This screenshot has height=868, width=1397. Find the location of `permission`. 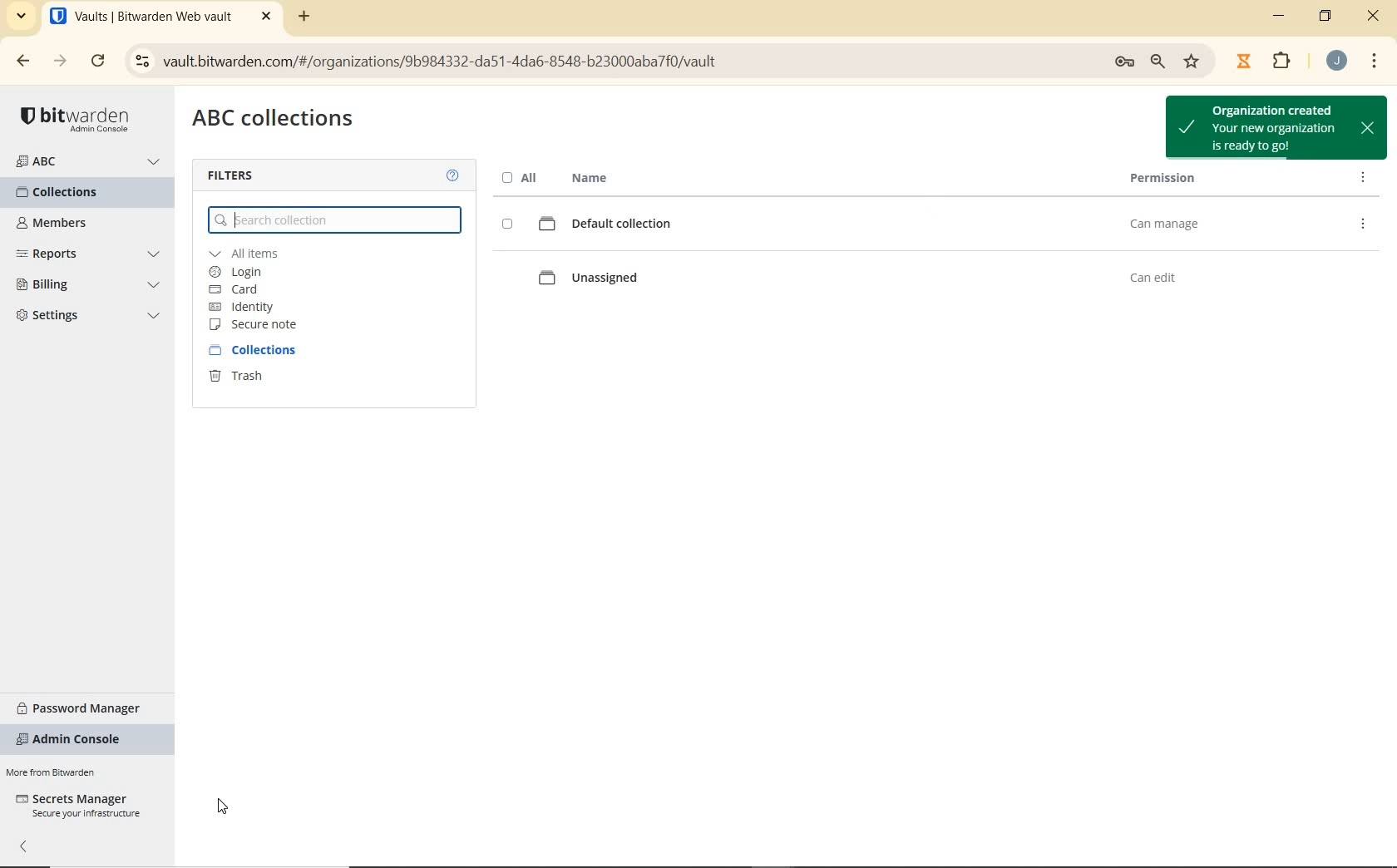

permission is located at coordinates (1159, 181).